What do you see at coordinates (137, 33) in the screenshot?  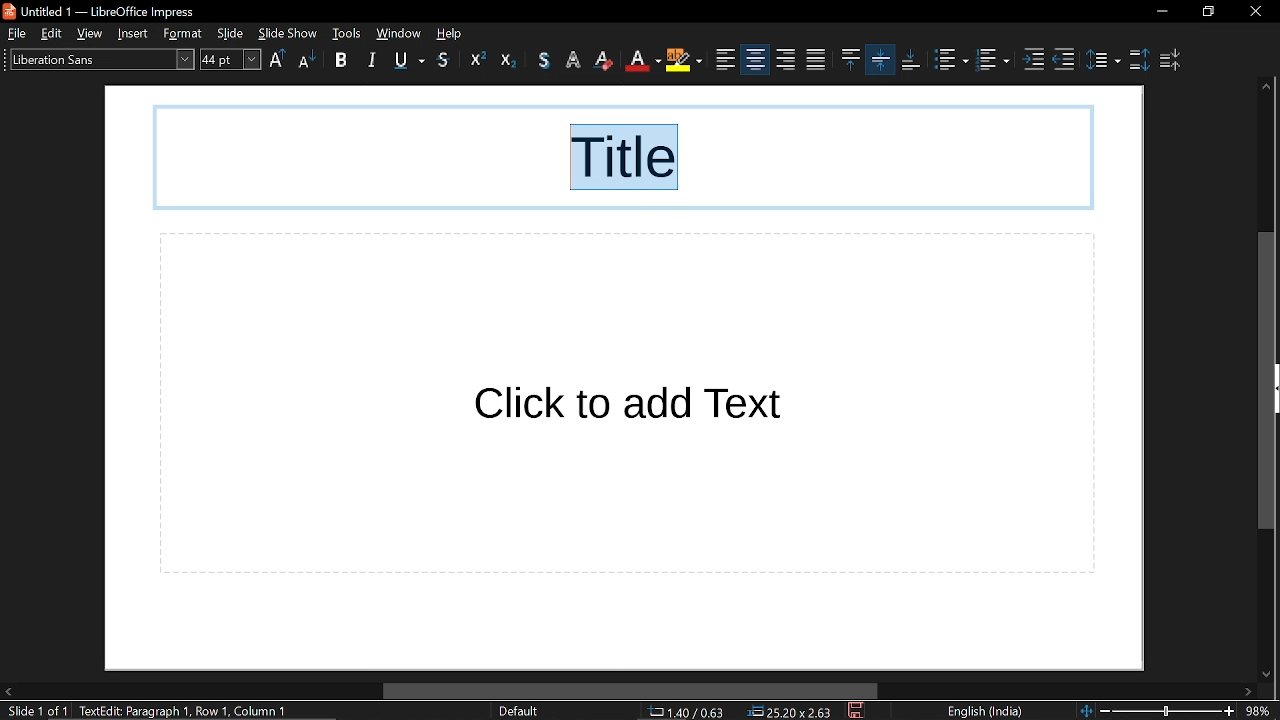 I see `insert` at bounding box center [137, 33].